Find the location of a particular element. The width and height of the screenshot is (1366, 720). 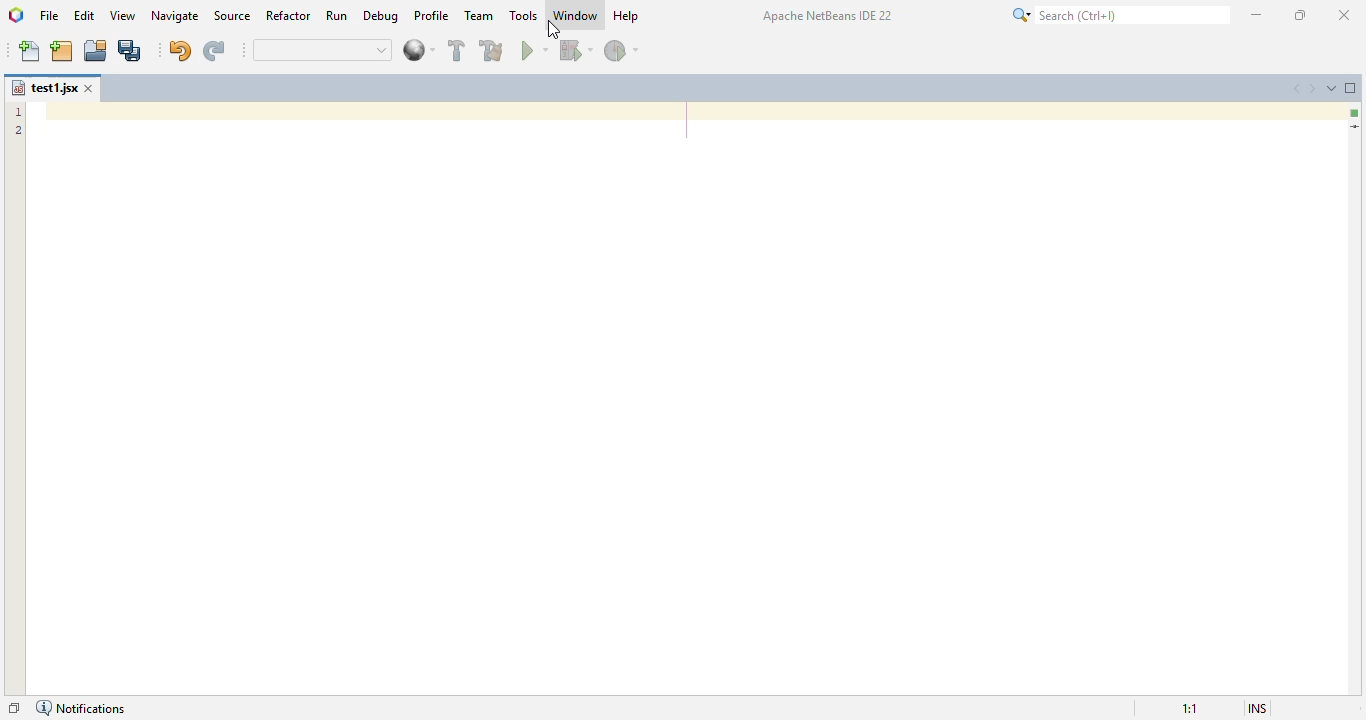

1 is located at coordinates (20, 109).